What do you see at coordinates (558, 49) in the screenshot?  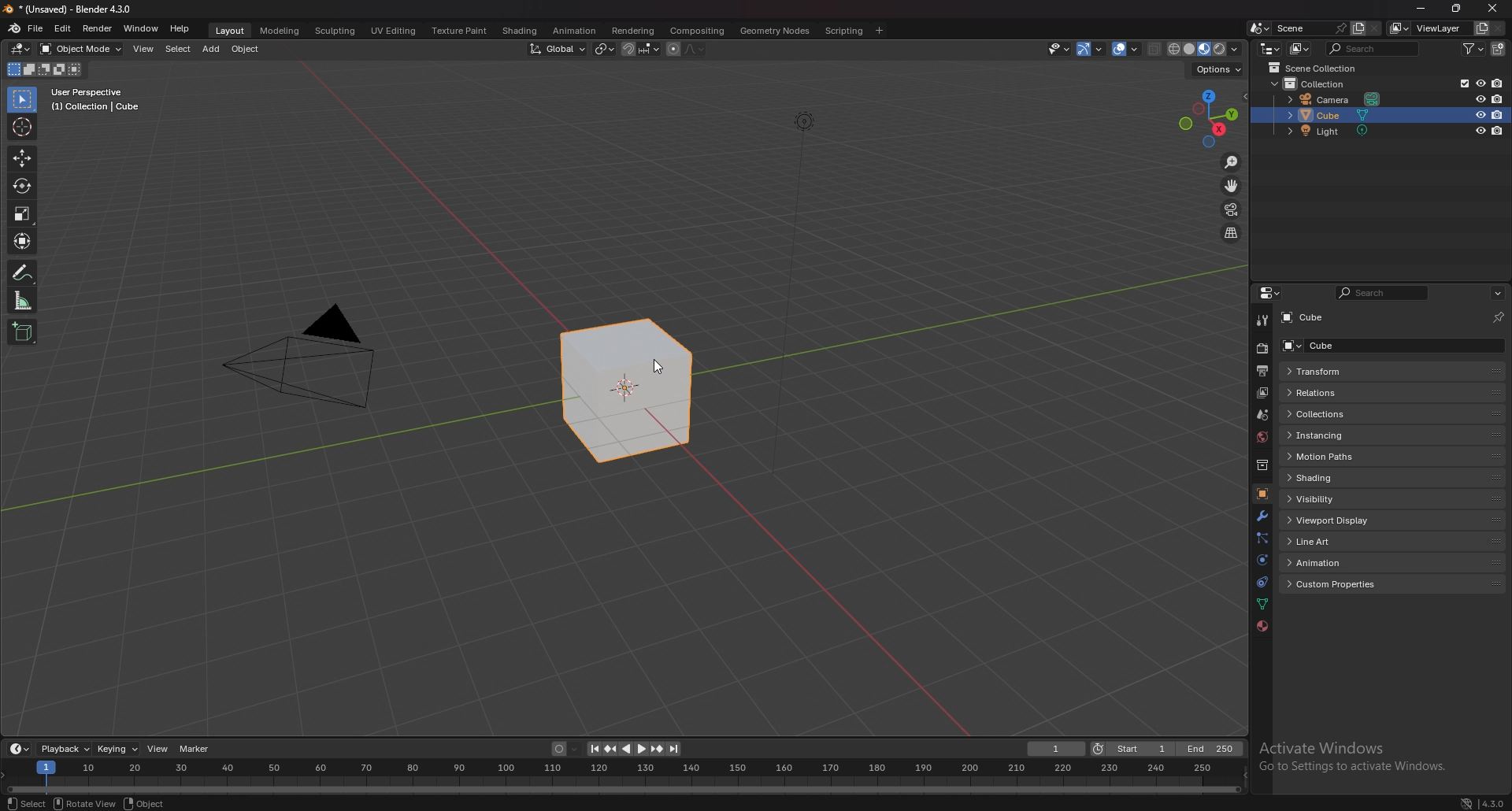 I see `transformation orientation` at bounding box center [558, 49].